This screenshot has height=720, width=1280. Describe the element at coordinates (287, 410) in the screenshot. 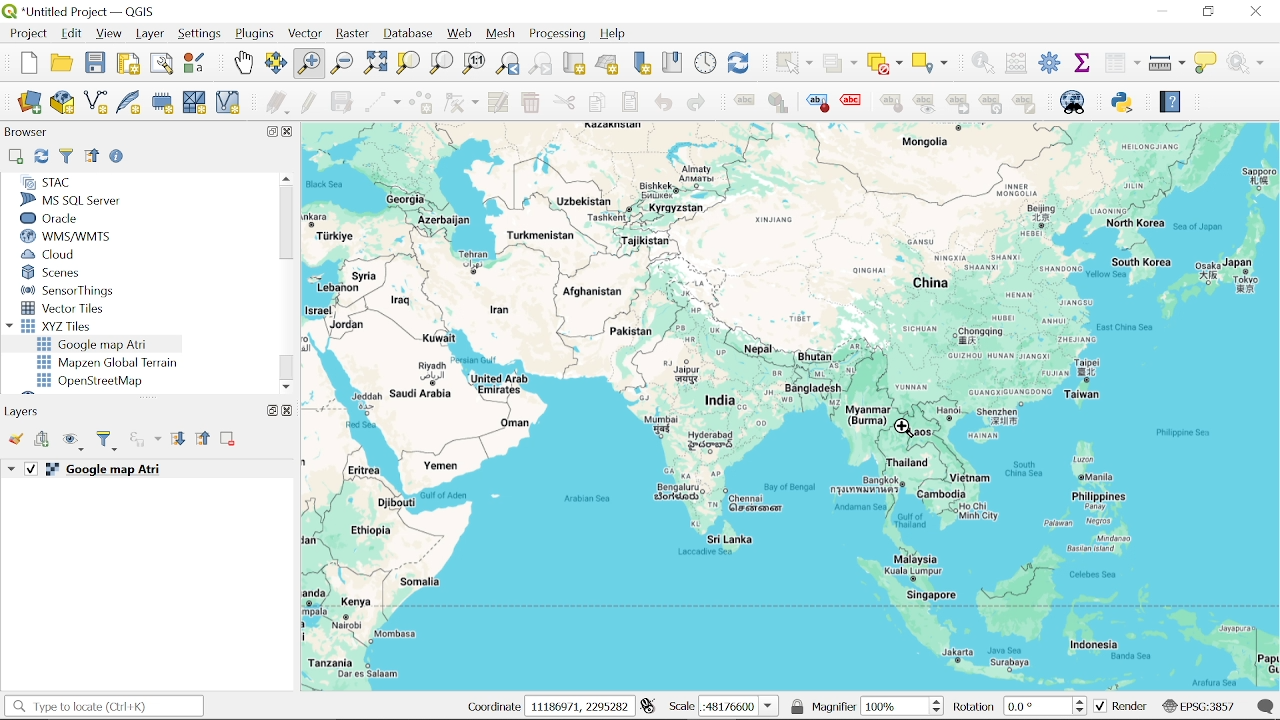

I see `Close` at that location.